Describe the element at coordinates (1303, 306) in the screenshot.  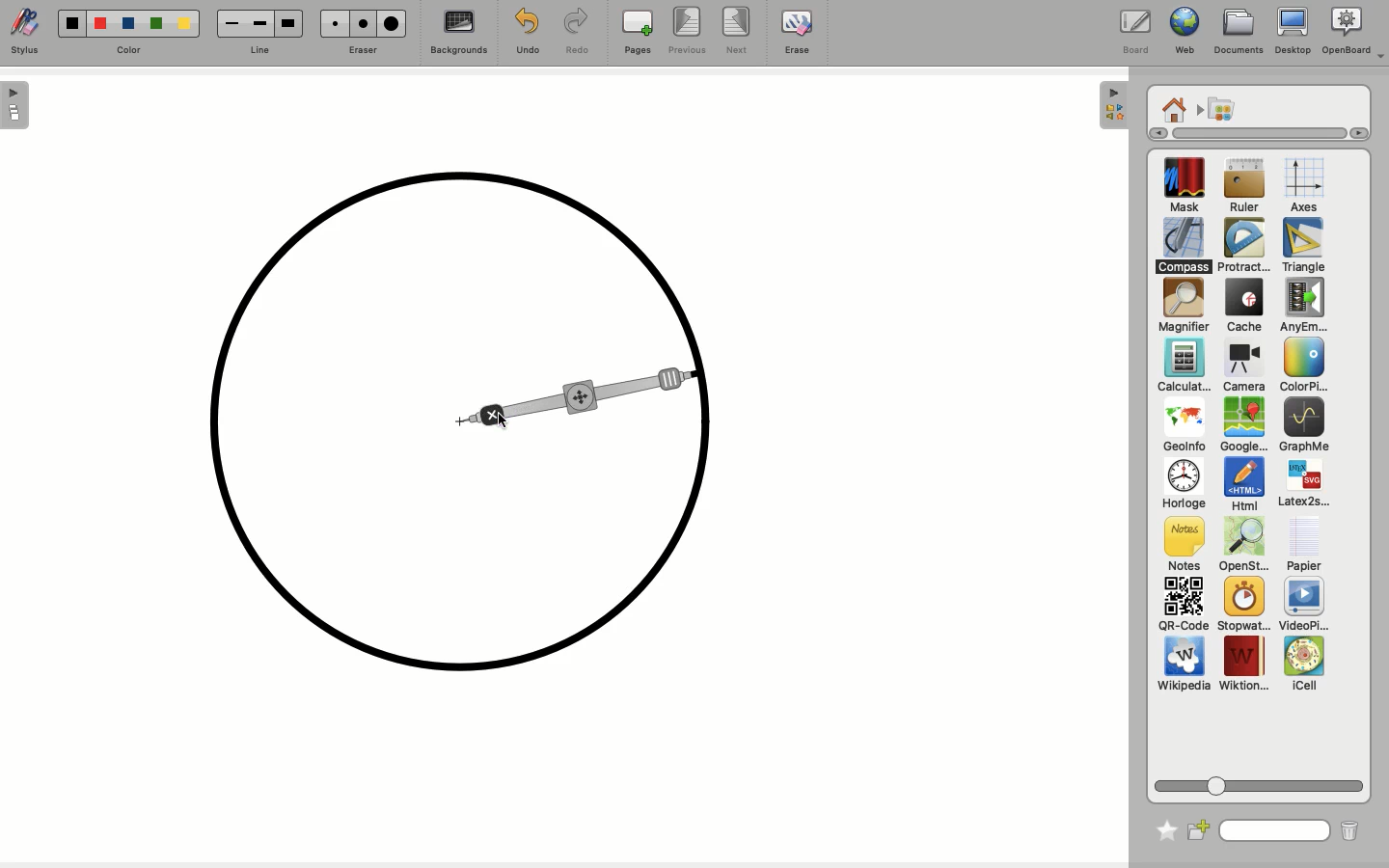
I see `Any` at that location.